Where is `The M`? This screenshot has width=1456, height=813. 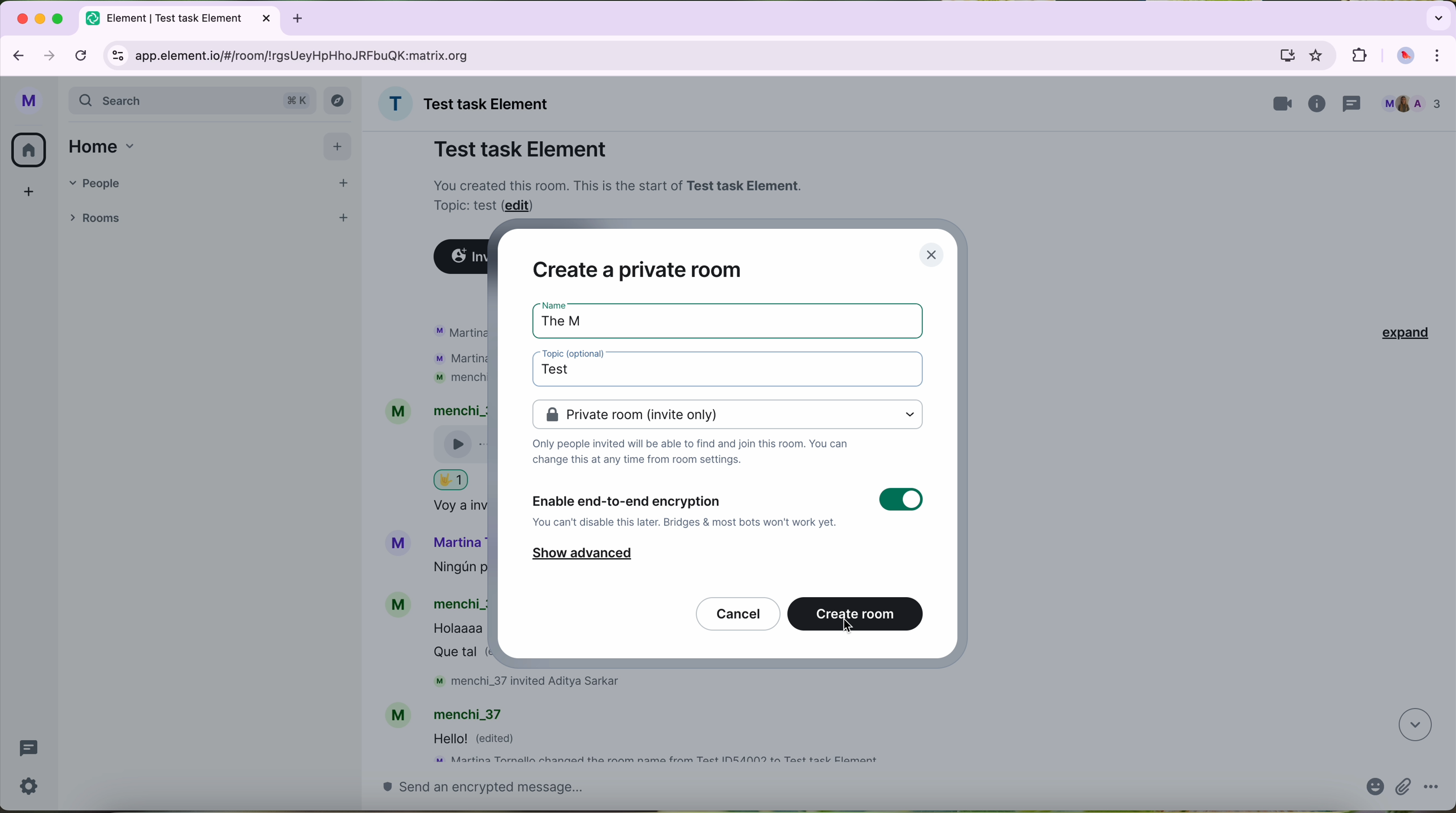
The M is located at coordinates (573, 318).